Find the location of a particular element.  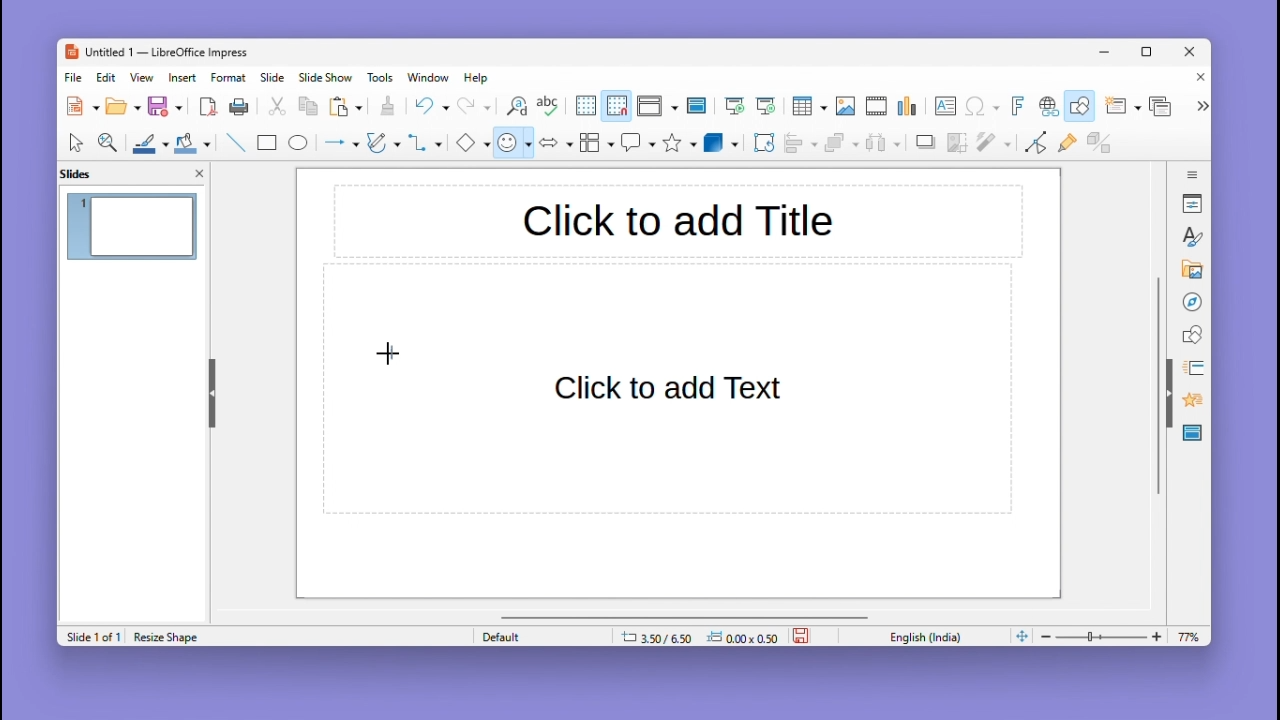

Gallery is located at coordinates (1189, 270).